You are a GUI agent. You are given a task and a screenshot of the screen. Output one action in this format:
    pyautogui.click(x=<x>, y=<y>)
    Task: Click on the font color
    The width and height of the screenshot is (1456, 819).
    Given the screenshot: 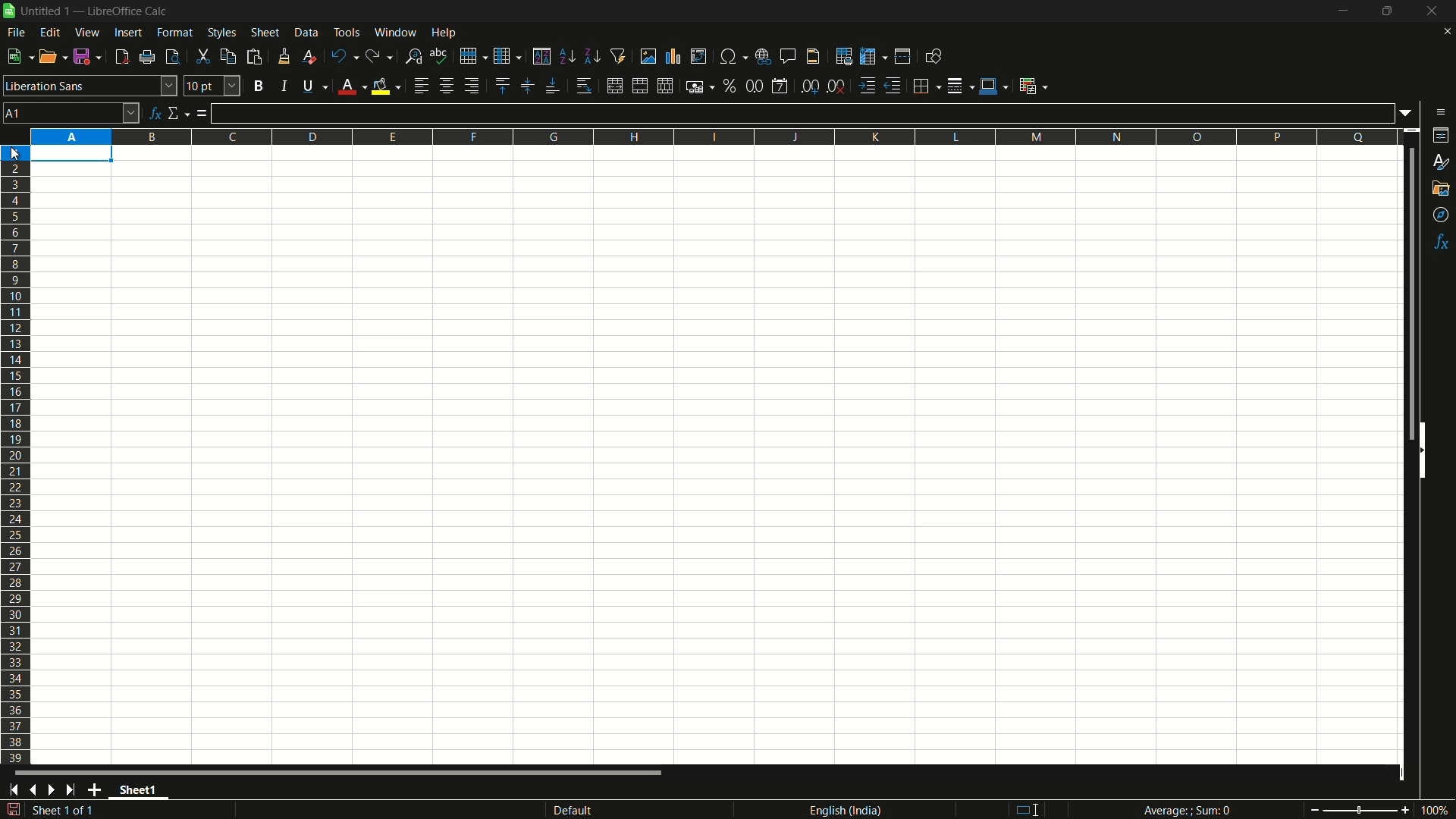 What is the action you would take?
    pyautogui.click(x=350, y=87)
    